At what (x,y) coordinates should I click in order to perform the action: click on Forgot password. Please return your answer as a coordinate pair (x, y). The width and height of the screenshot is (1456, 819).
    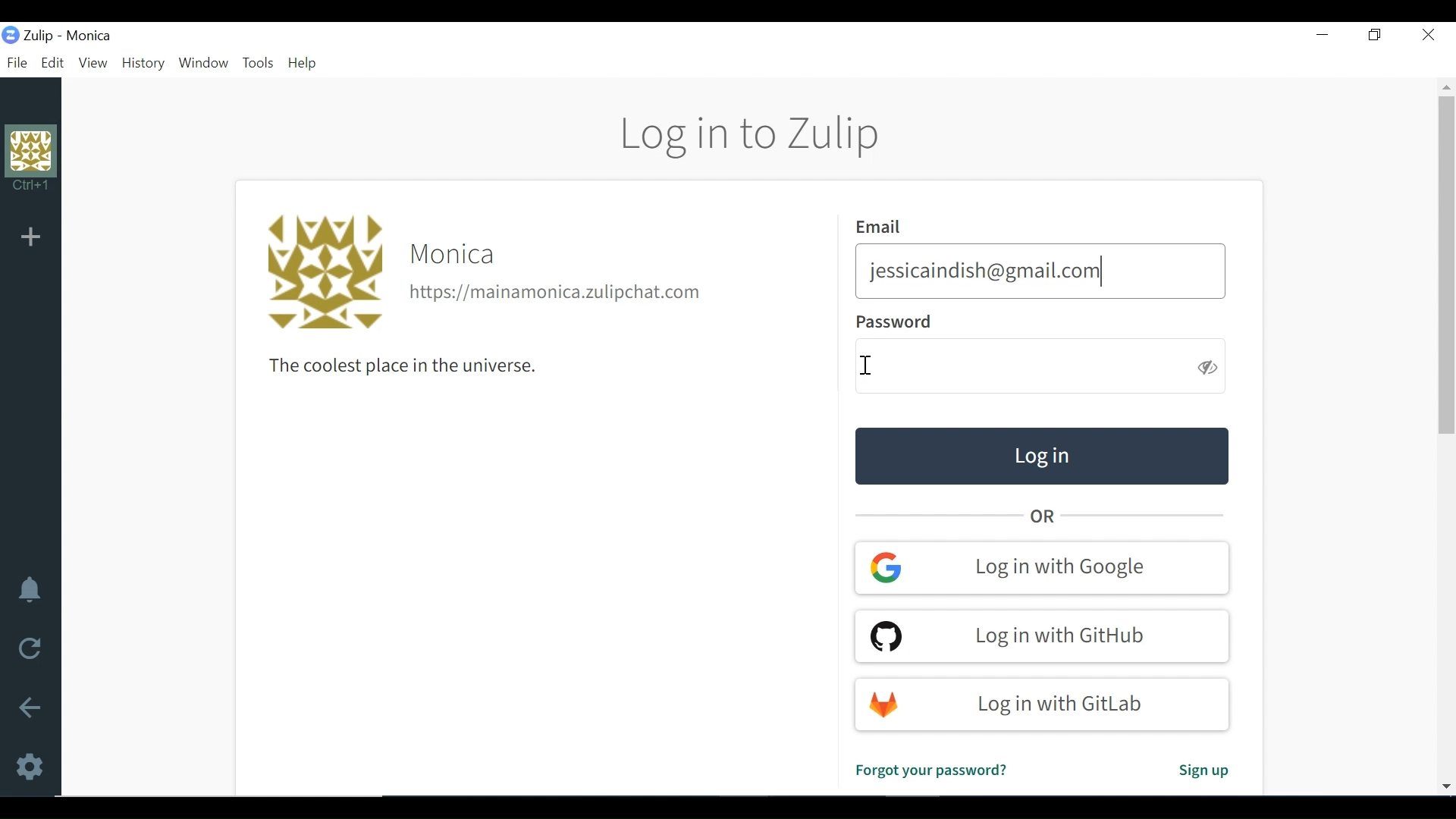
    Looking at the image, I should click on (930, 770).